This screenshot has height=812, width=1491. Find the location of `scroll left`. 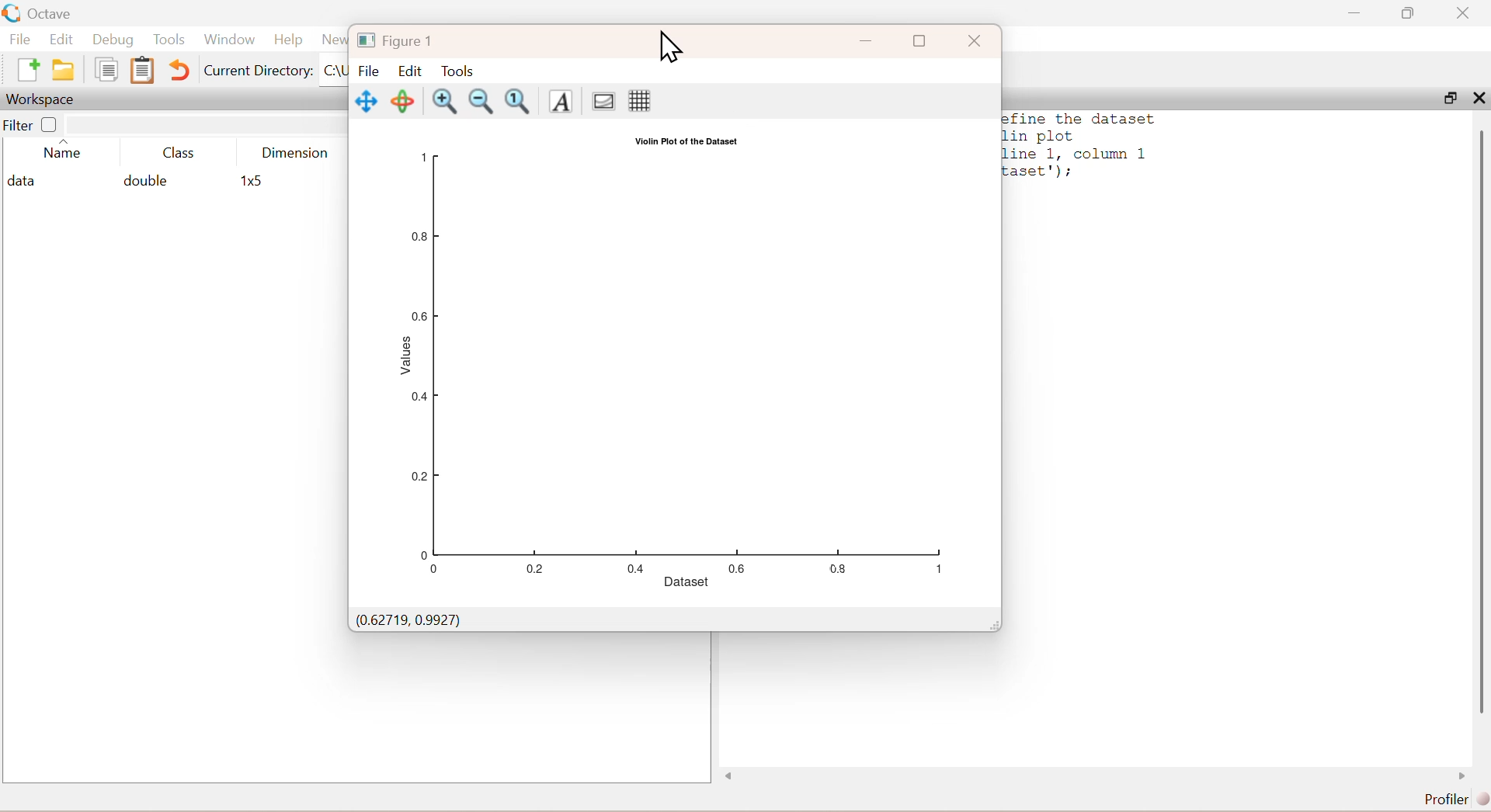

scroll left is located at coordinates (730, 776).